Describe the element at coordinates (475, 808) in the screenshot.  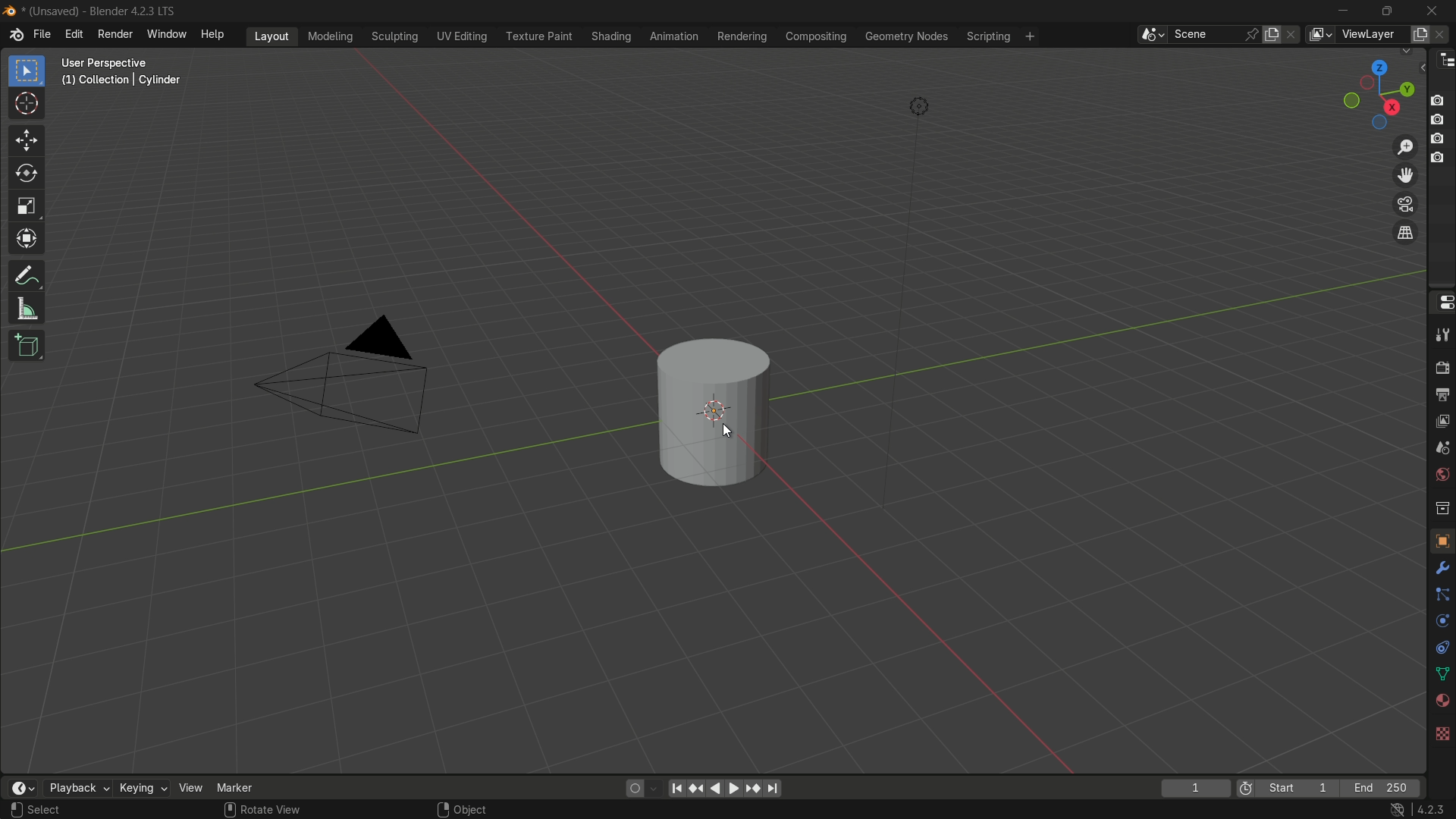
I see `Object` at that location.